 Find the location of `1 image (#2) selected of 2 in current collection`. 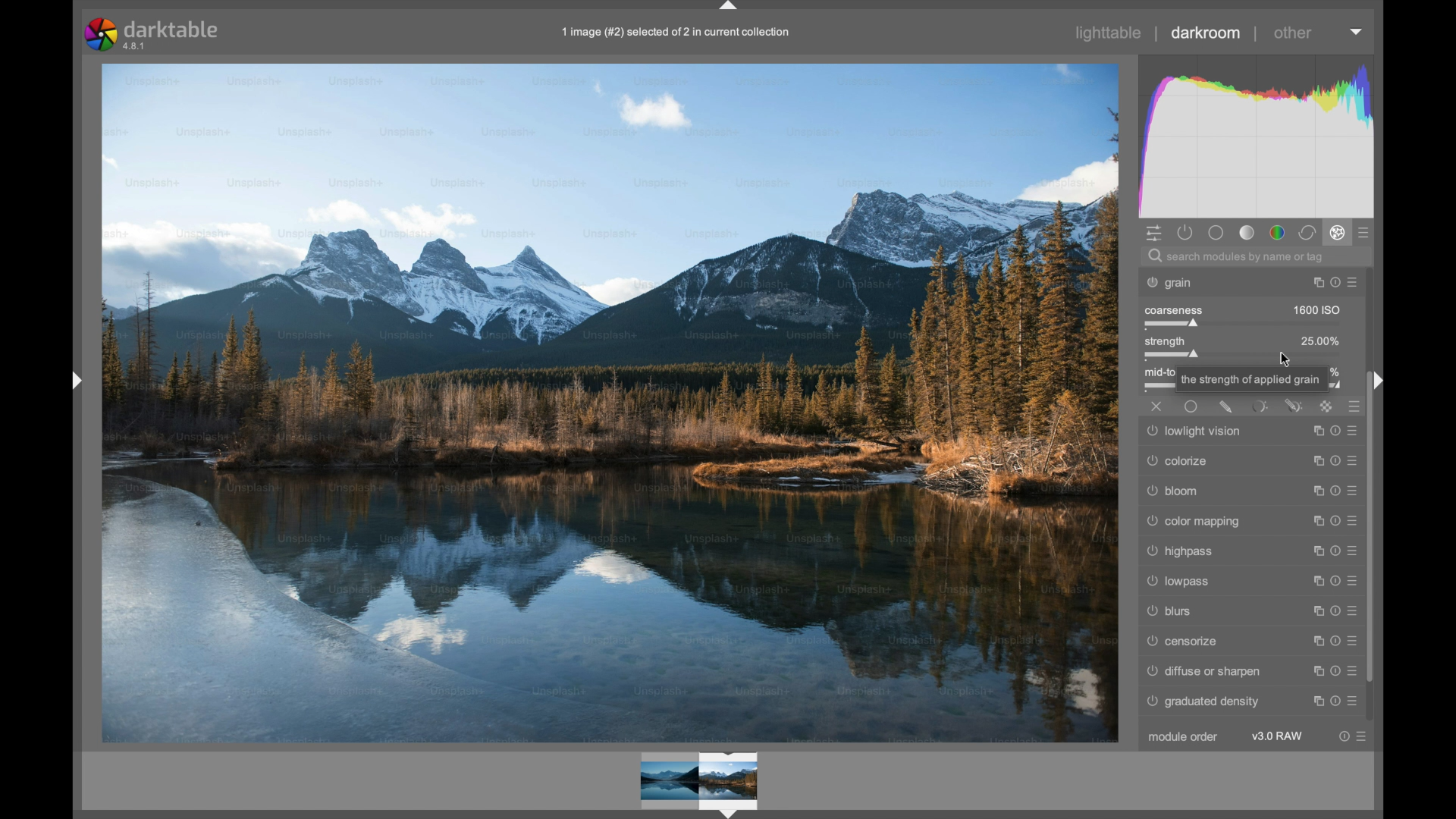

1 image (#2) selected of 2 in current collection is located at coordinates (682, 37).